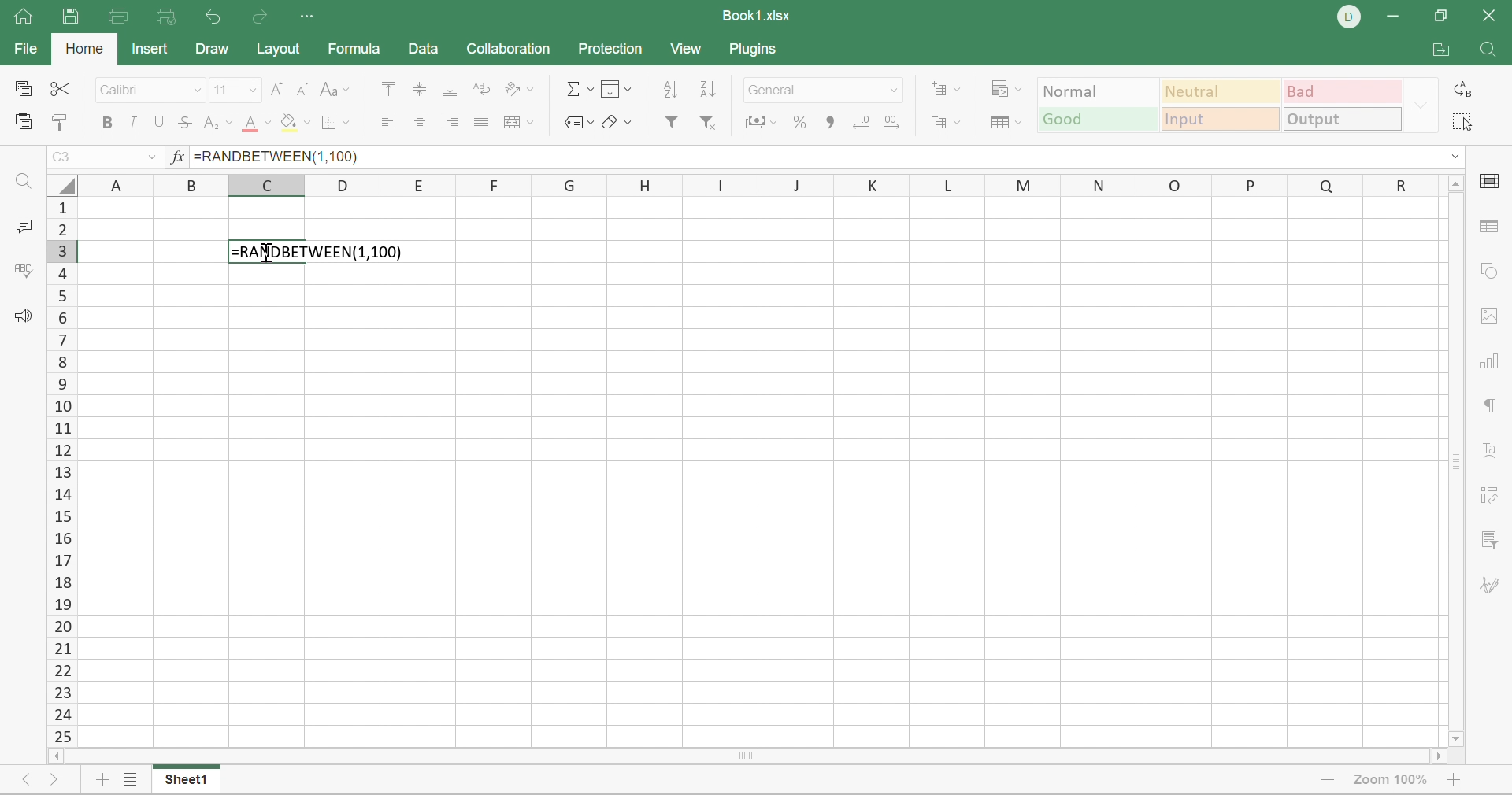  Describe the element at coordinates (896, 91) in the screenshot. I see `Drop Down` at that location.